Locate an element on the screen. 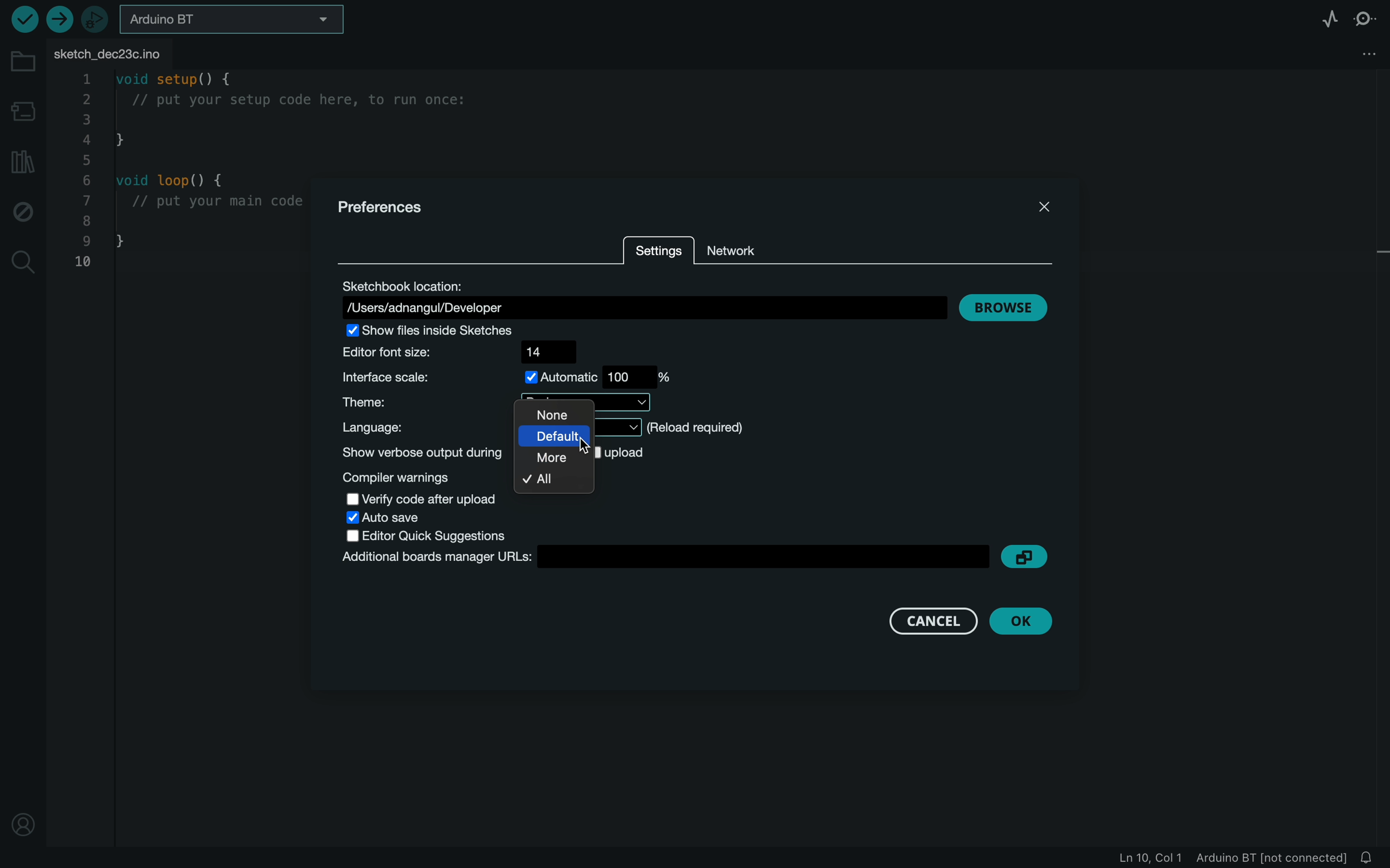  verify is located at coordinates (22, 19).